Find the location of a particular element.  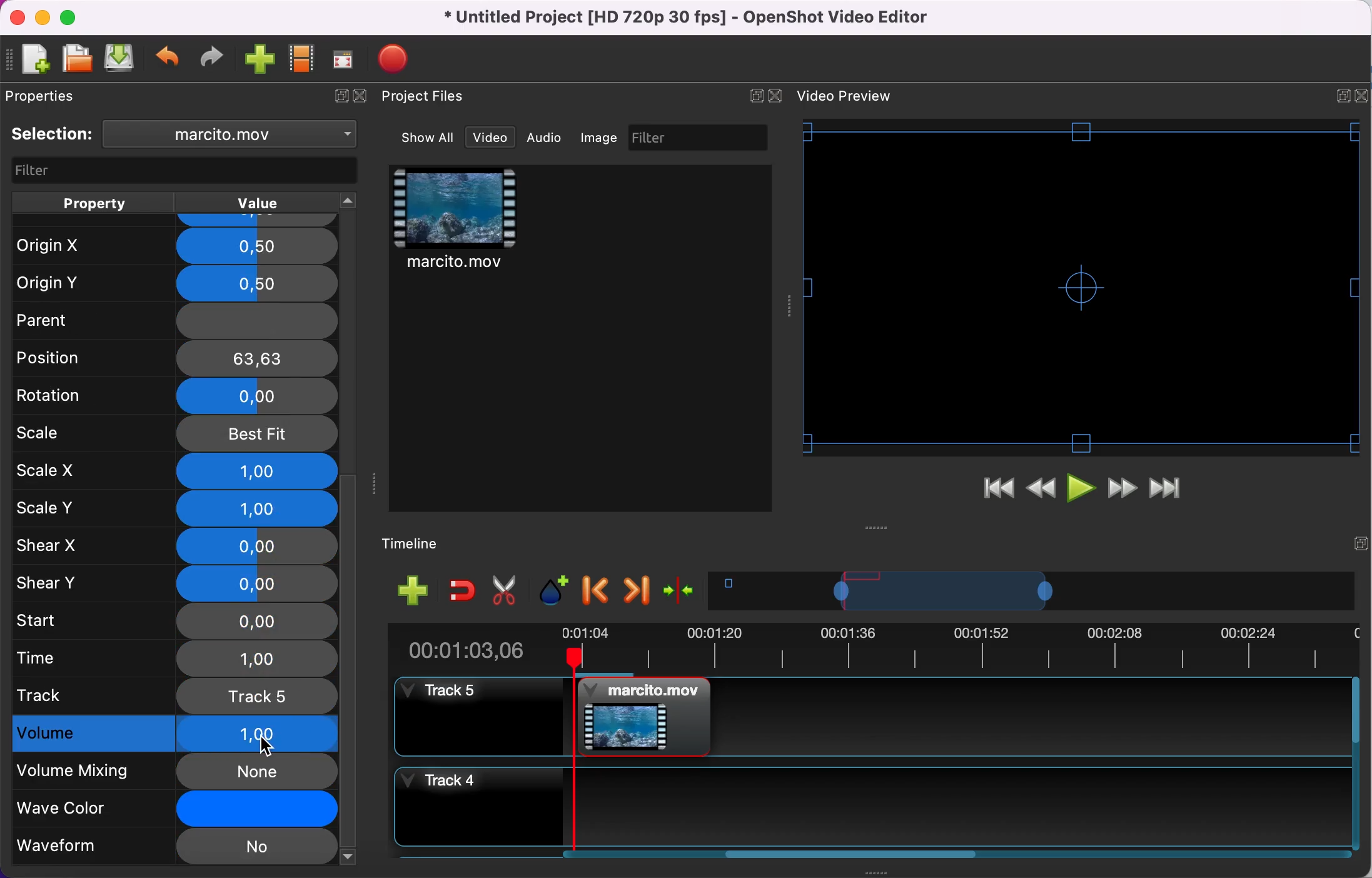

scale x 1 is located at coordinates (176, 472).